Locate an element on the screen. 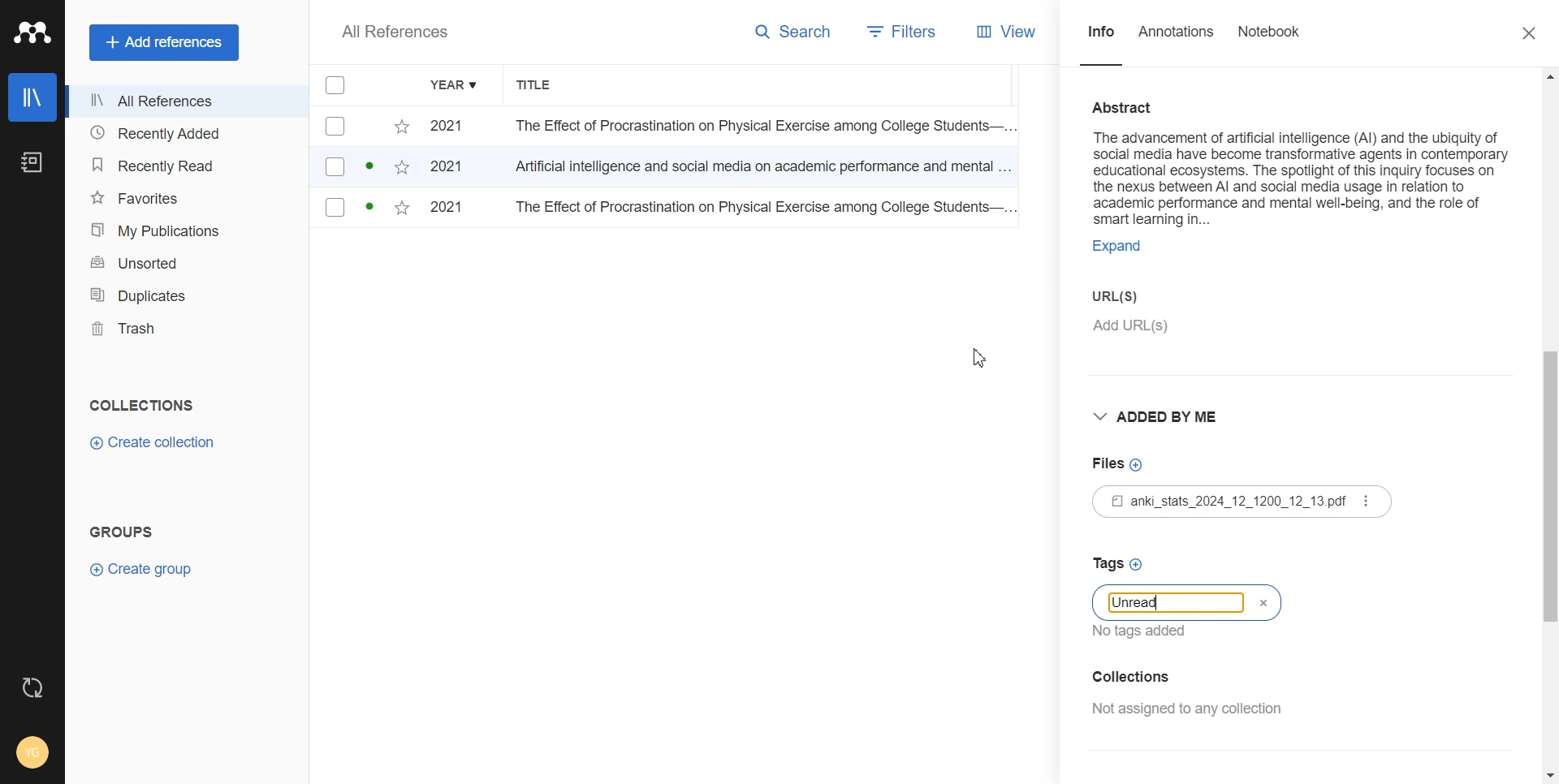 This screenshot has height=784, width=1559. Account is located at coordinates (32, 752).